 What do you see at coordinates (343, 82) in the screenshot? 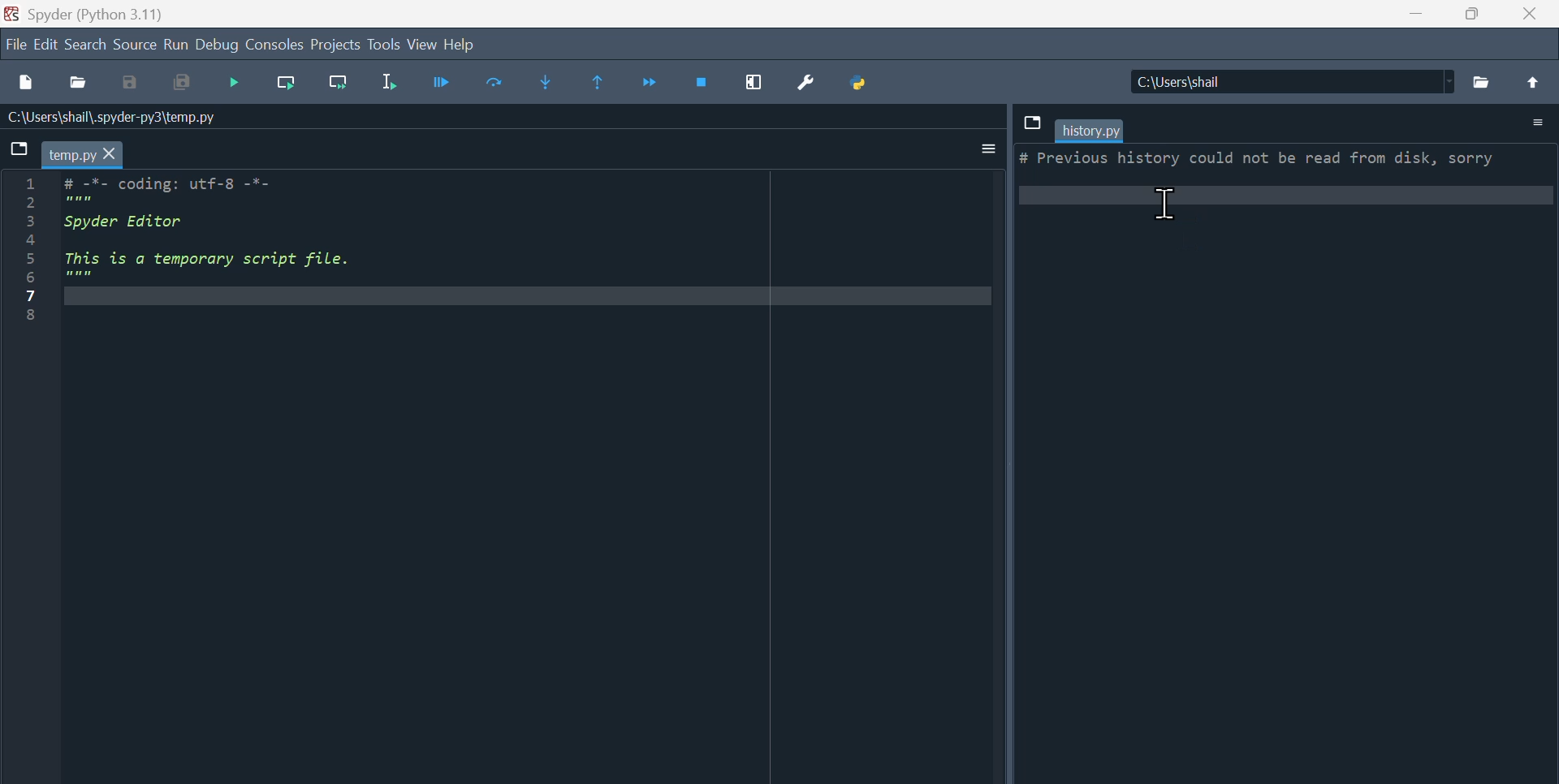
I see `Run current sale and go to the next one` at bounding box center [343, 82].